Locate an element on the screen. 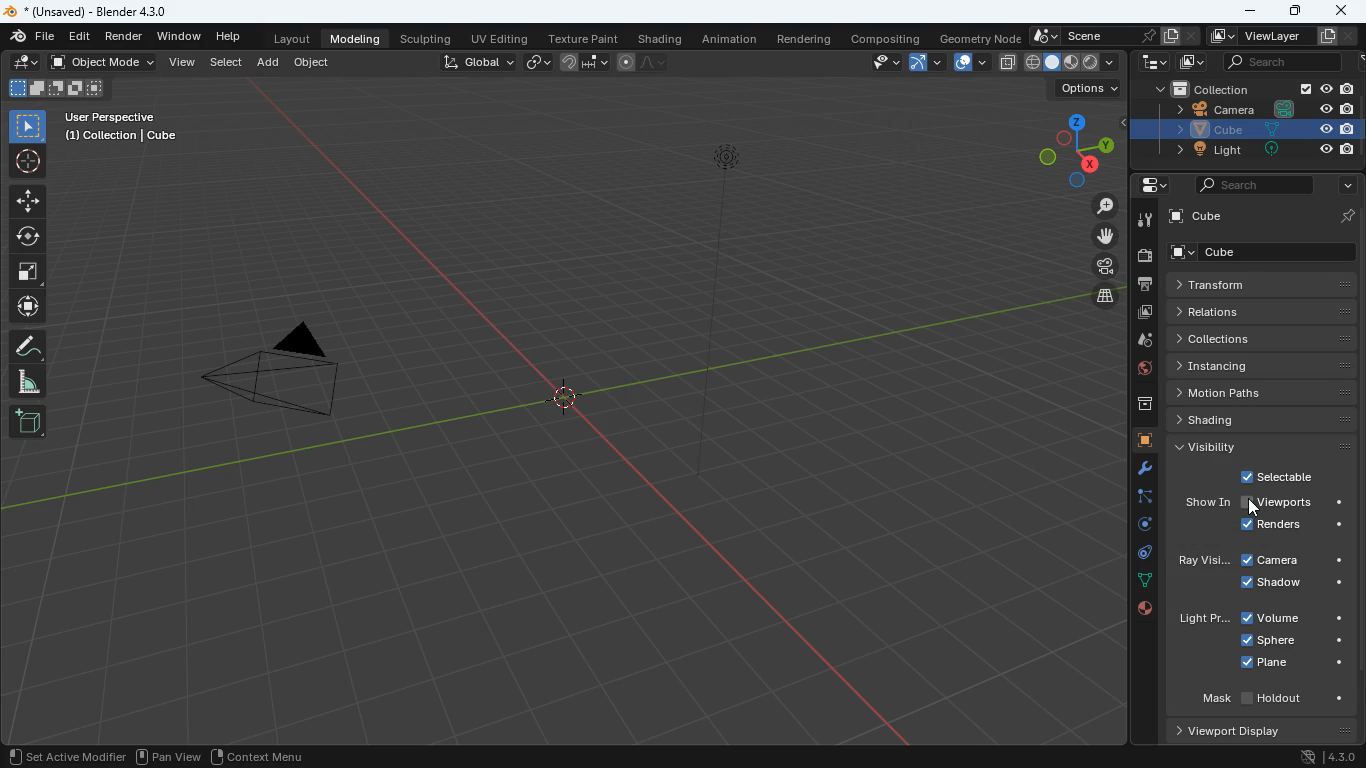 Image resolution: width=1366 pixels, height=768 pixels. settings is located at coordinates (1147, 187).